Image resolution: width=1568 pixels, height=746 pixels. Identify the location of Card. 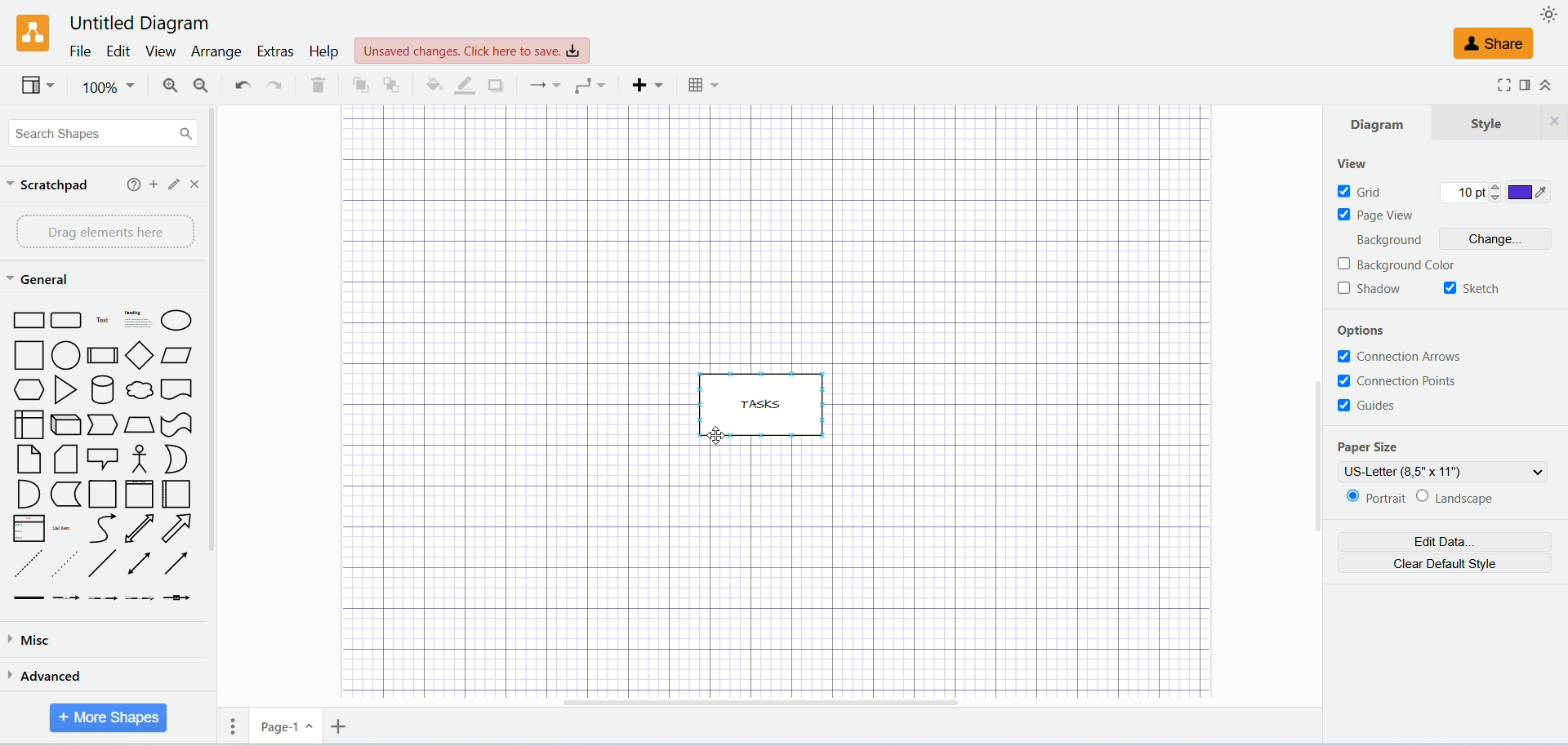
(65, 460).